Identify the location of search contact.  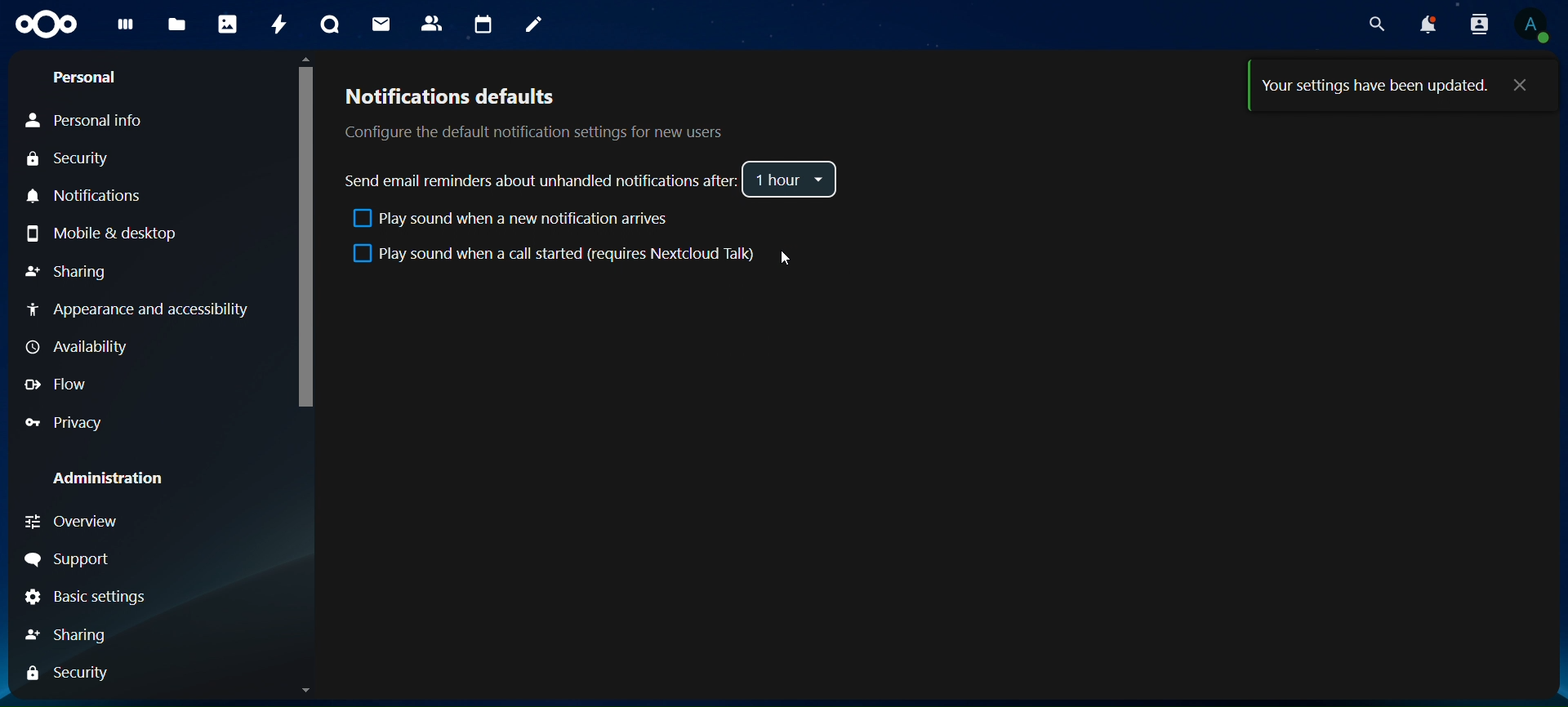
(1477, 23).